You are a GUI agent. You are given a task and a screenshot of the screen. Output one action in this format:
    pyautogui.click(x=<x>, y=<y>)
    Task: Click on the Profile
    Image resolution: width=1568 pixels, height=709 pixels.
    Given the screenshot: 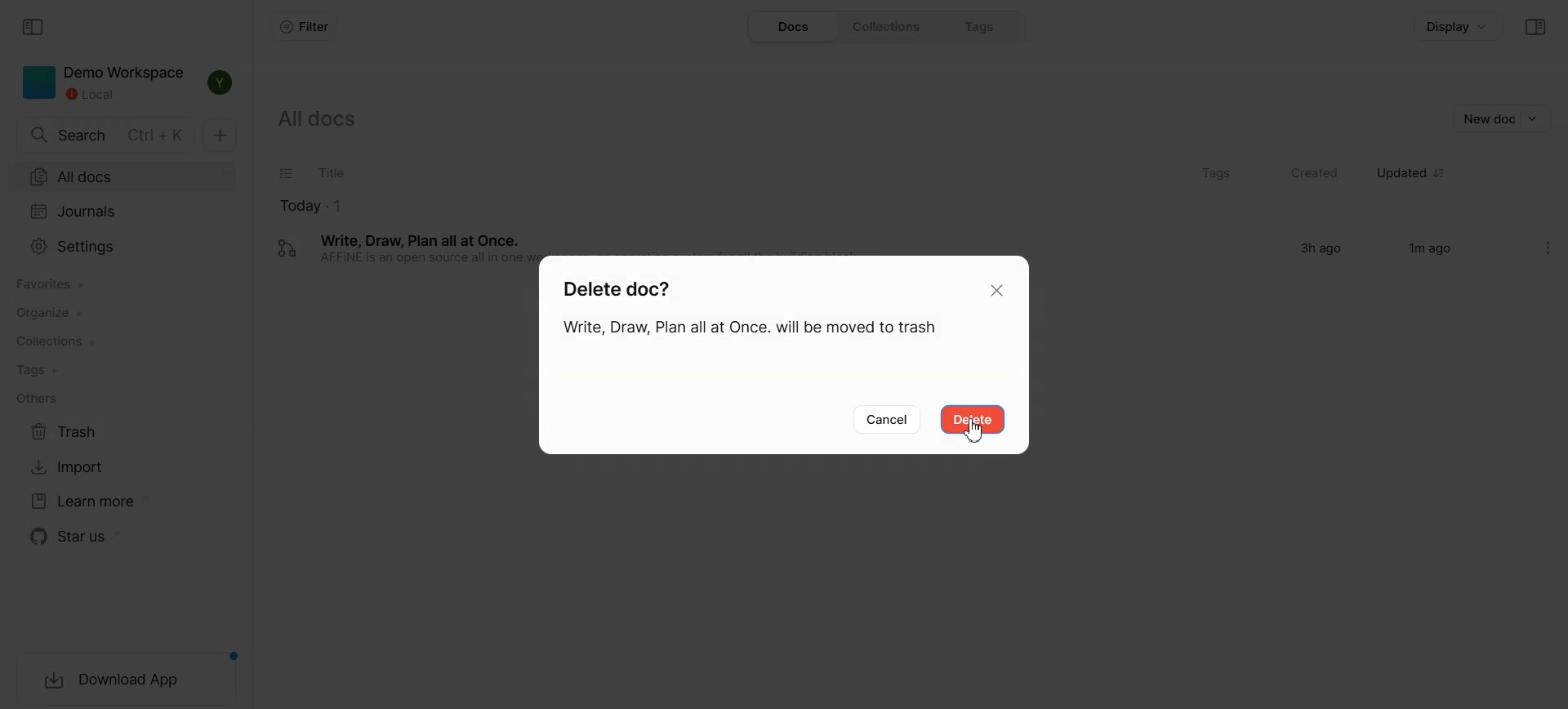 What is the action you would take?
    pyautogui.click(x=219, y=83)
    